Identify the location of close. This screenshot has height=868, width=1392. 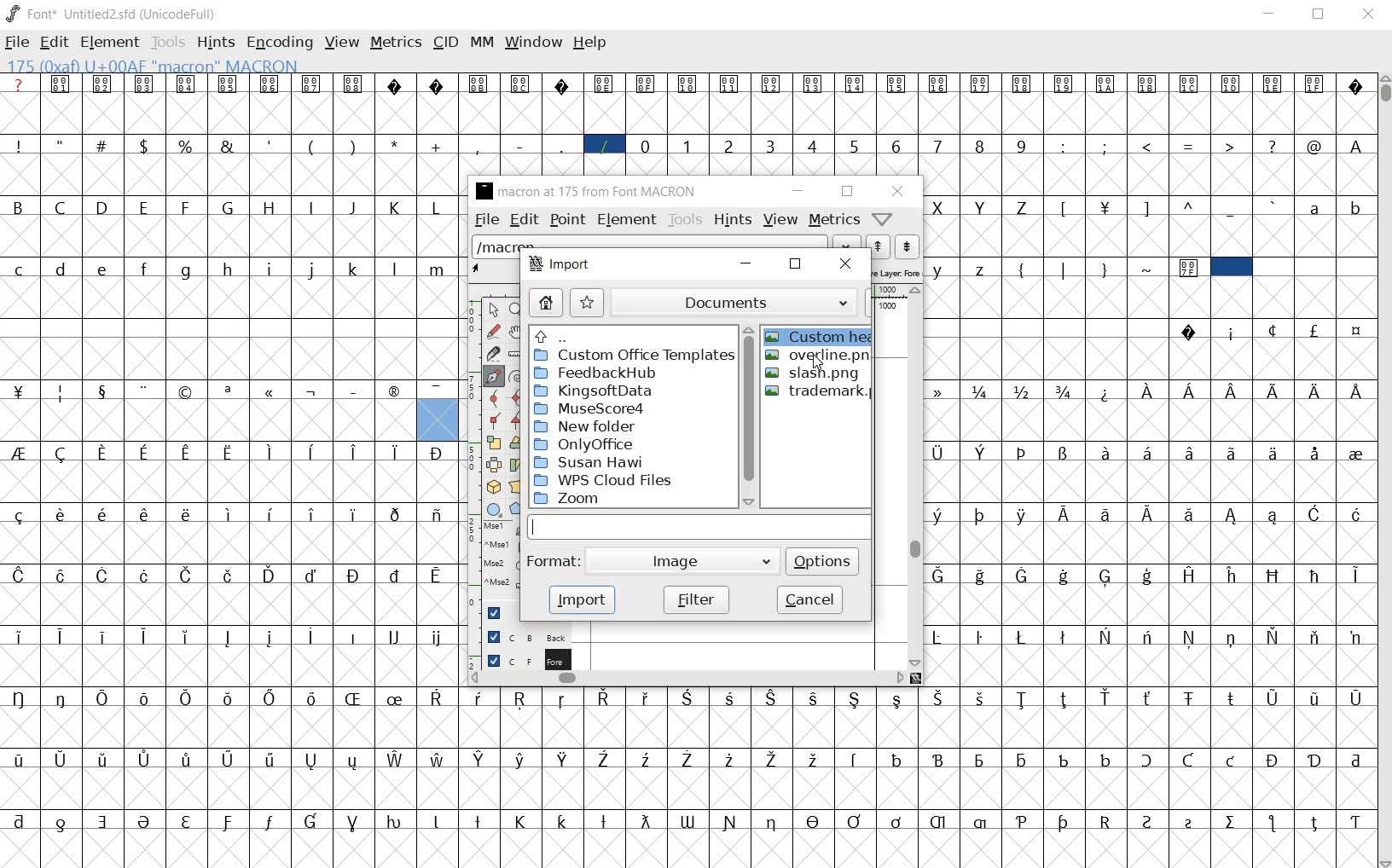
(895, 190).